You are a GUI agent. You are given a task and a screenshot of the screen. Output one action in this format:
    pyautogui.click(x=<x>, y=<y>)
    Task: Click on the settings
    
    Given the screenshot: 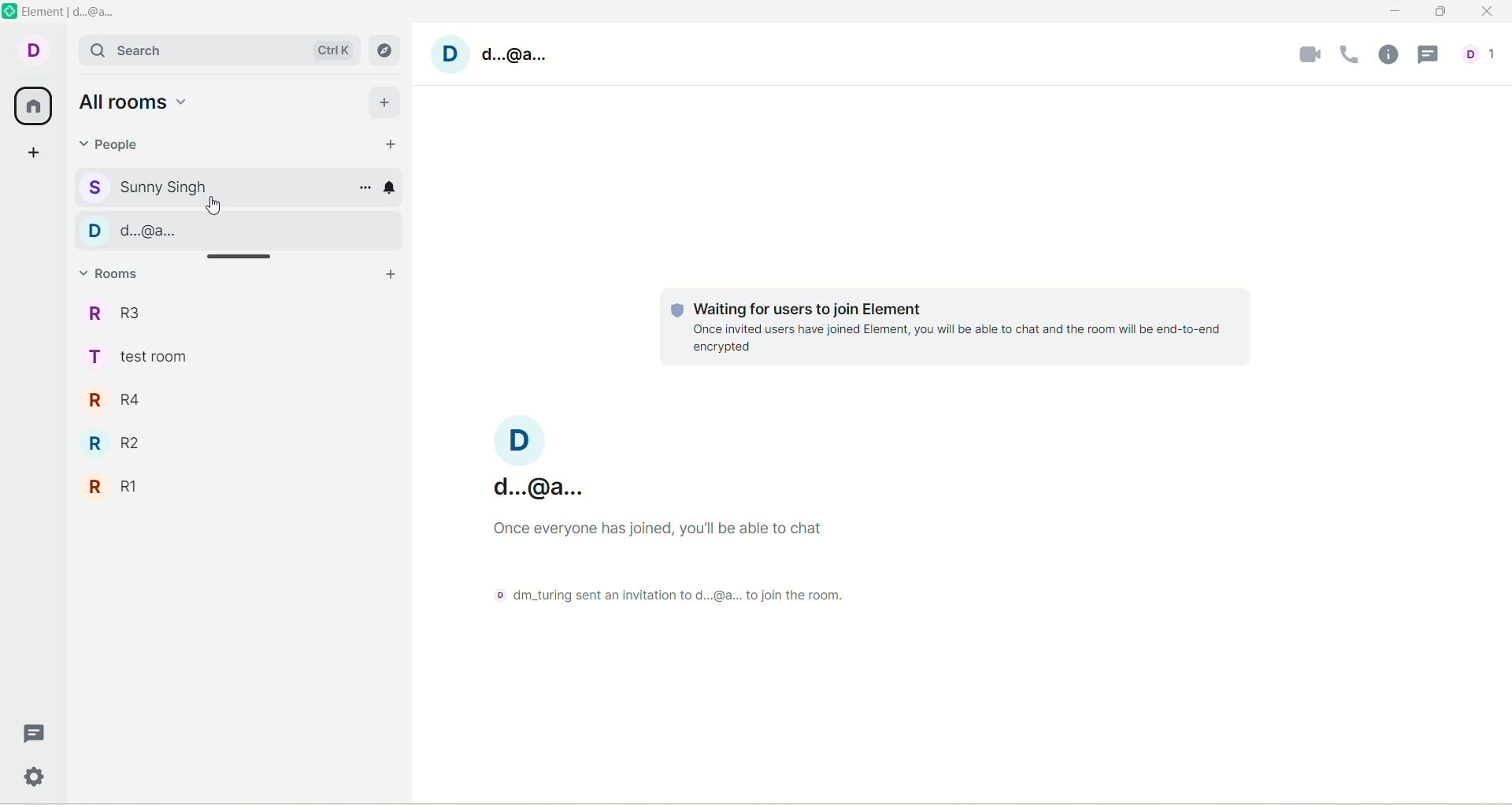 What is the action you would take?
    pyautogui.click(x=35, y=777)
    